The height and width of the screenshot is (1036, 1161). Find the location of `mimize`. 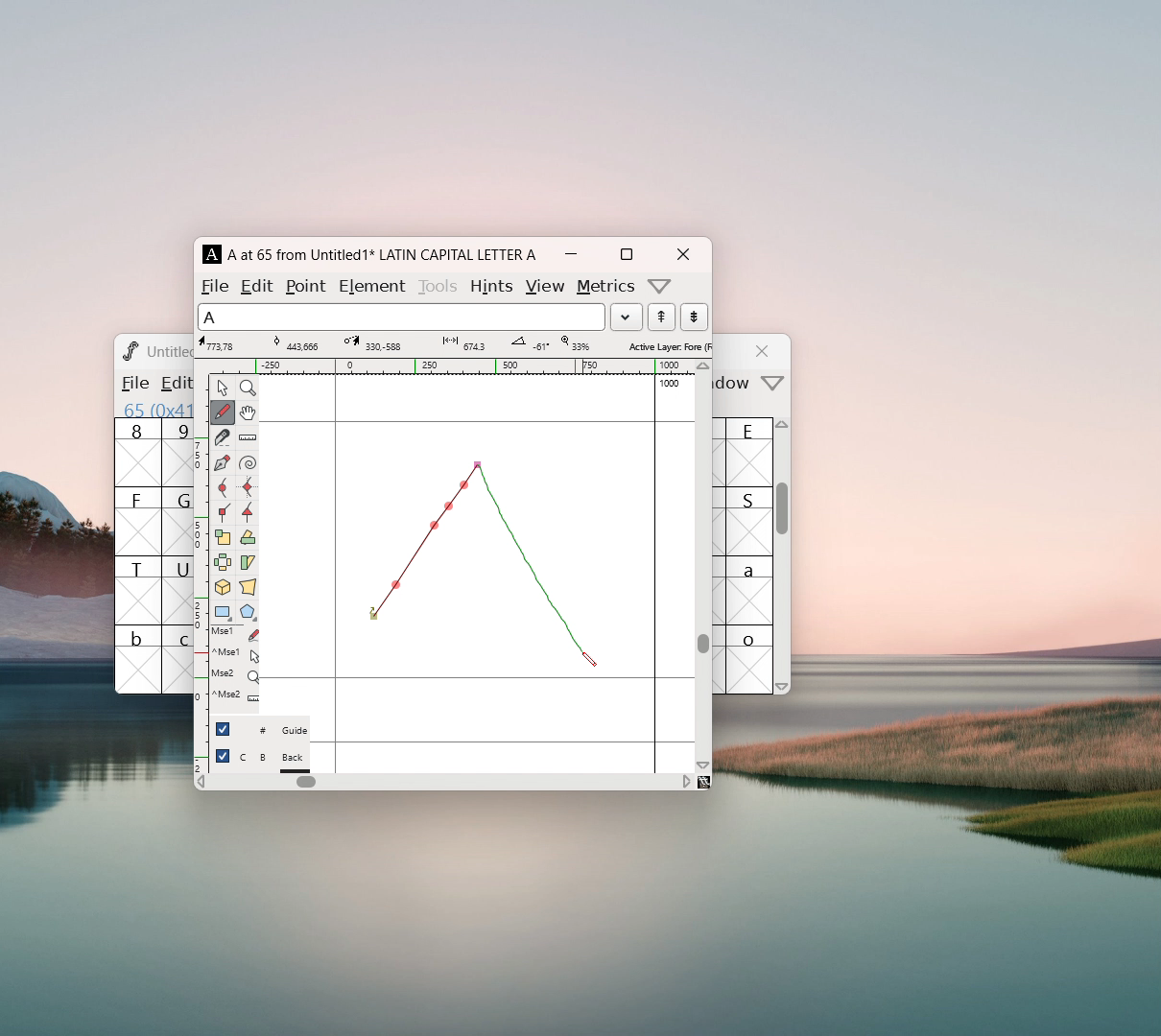

mimize is located at coordinates (571, 254).